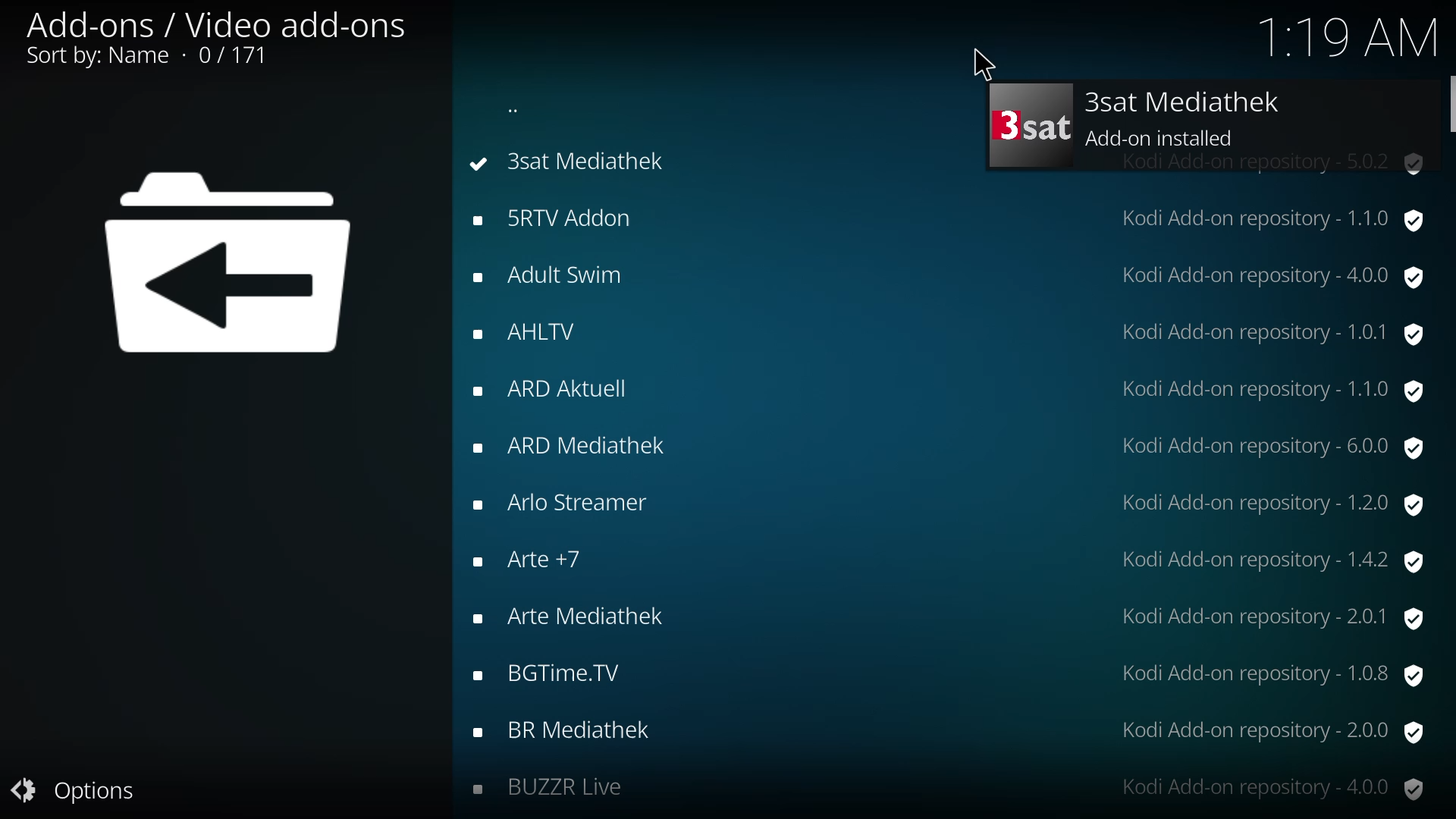 This screenshot has width=1456, height=819. Describe the element at coordinates (1267, 221) in the screenshot. I see `version` at that location.